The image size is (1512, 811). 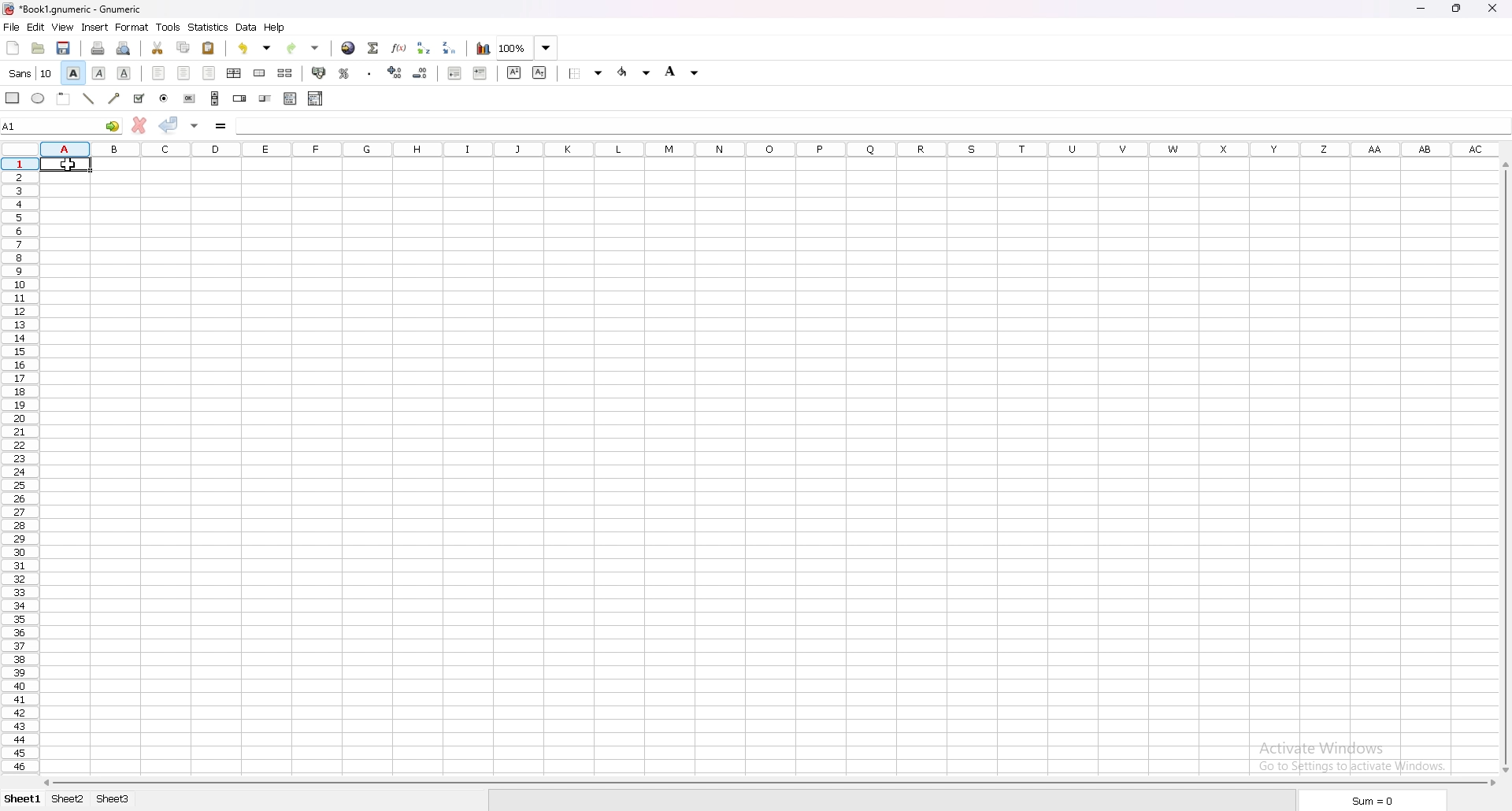 I want to click on print, so click(x=98, y=48).